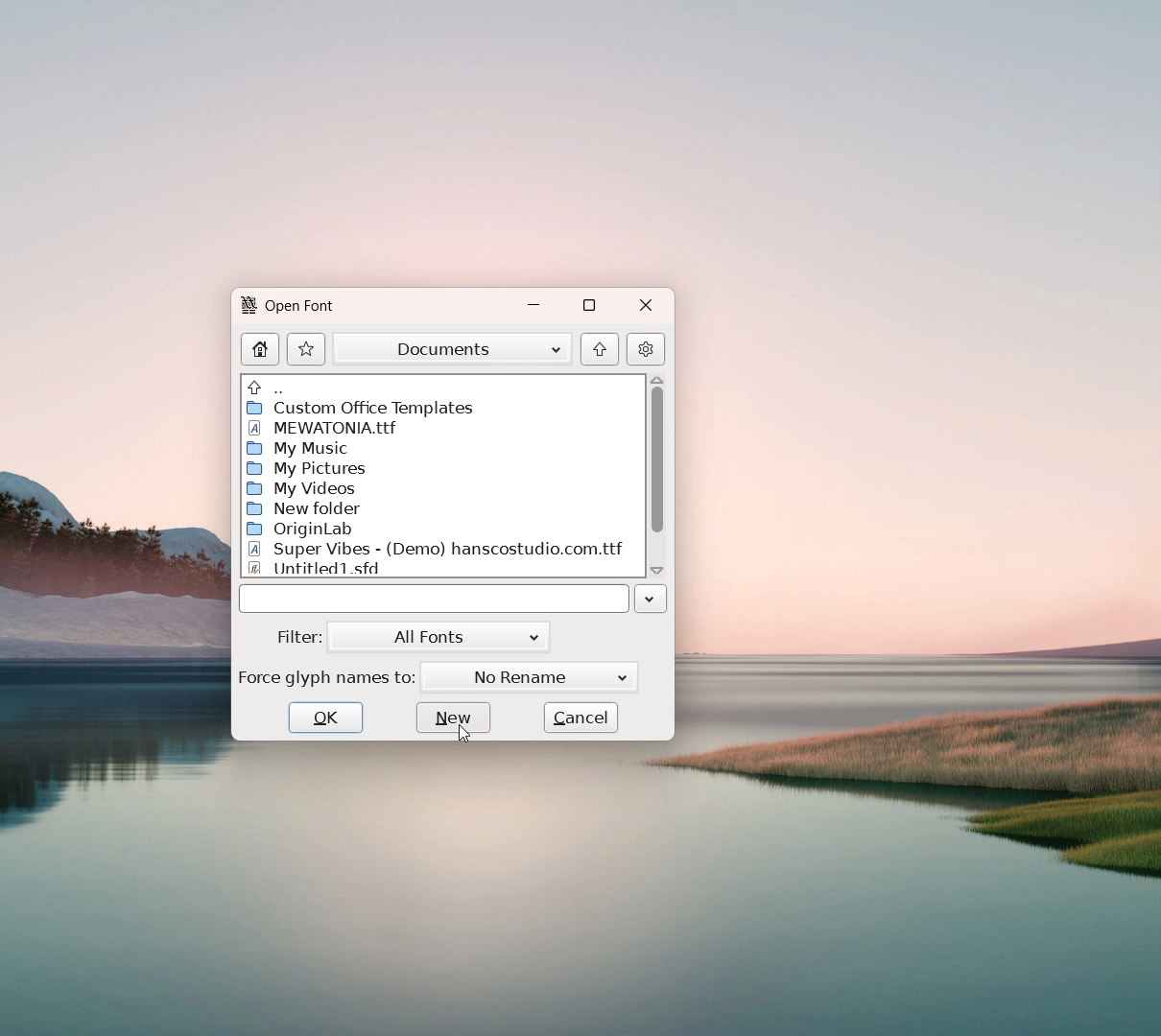  What do you see at coordinates (453, 347) in the screenshot?
I see `select folder` at bounding box center [453, 347].